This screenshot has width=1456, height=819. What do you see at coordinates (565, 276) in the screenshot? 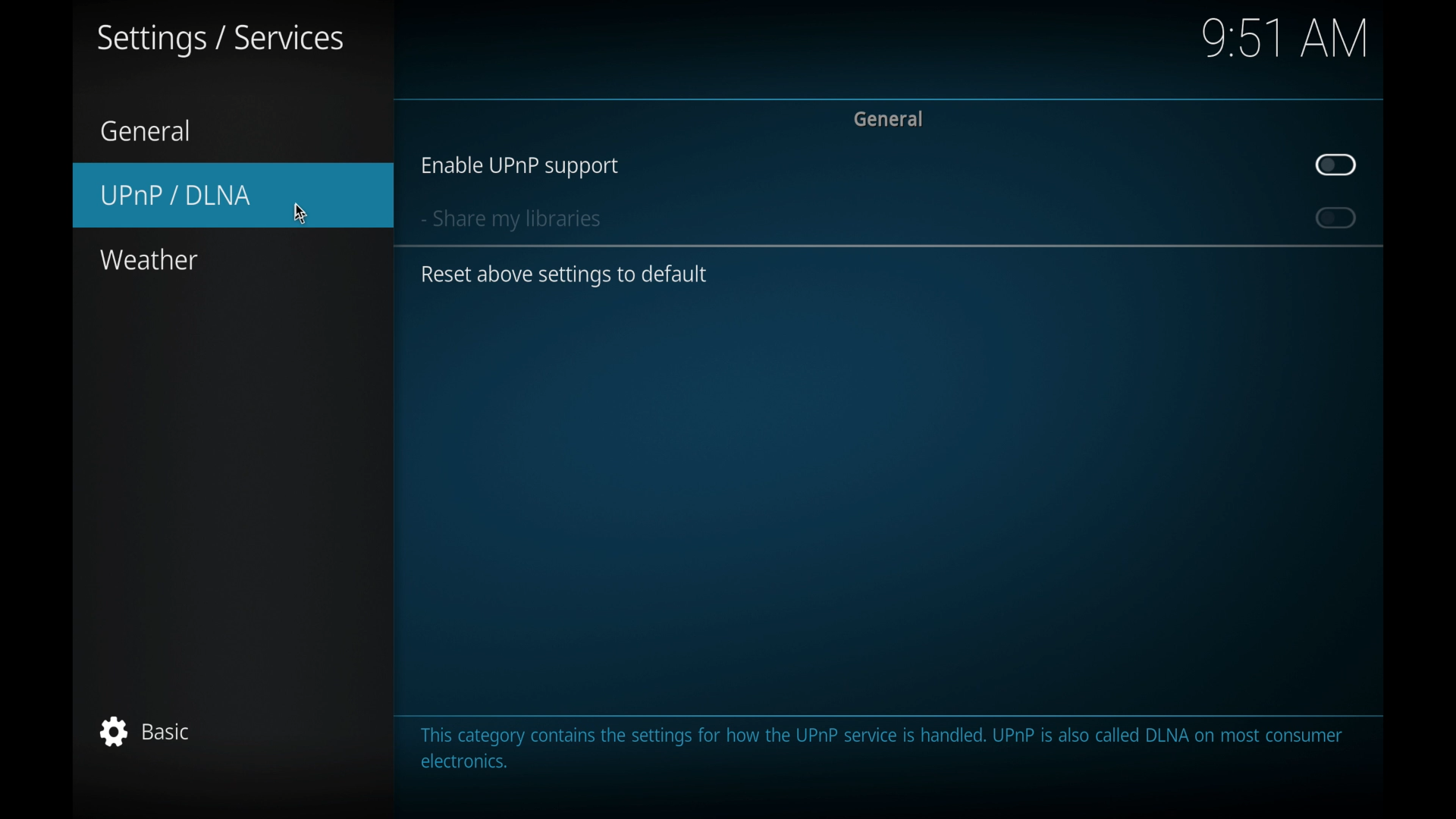
I see `reset above settings to default` at bounding box center [565, 276].